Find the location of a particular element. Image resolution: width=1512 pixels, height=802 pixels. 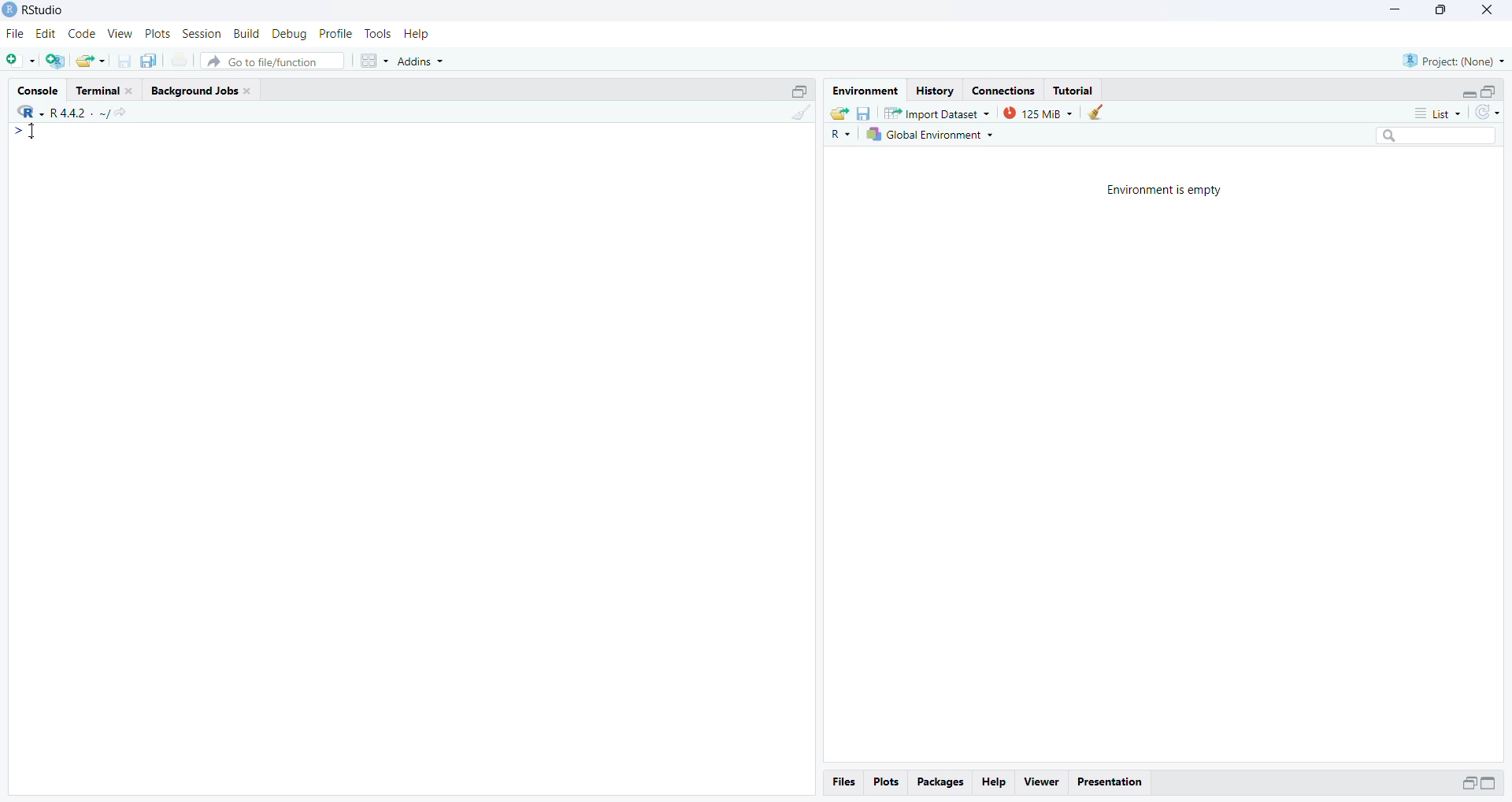

RStudio is located at coordinates (43, 9).